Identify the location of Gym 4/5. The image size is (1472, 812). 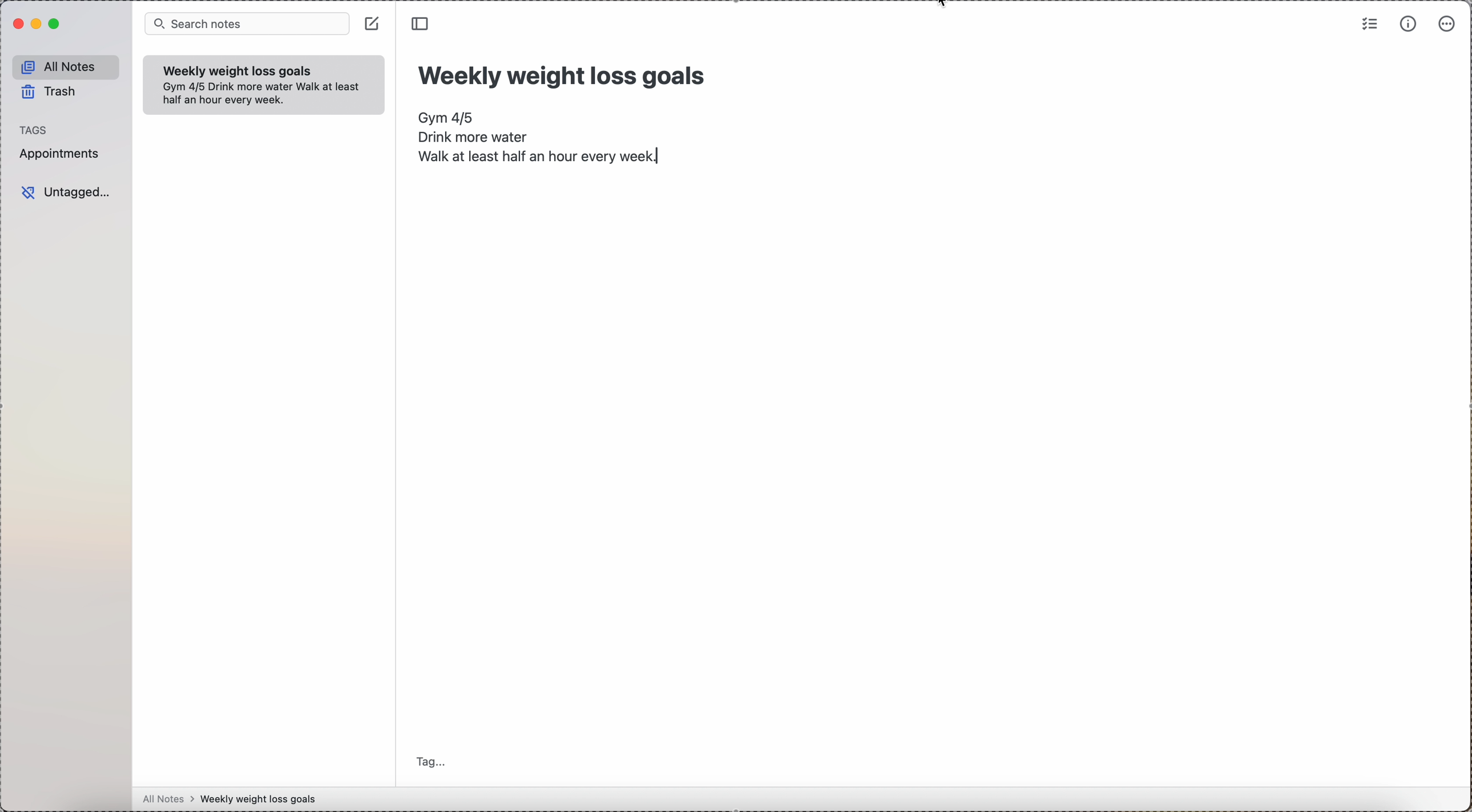
(183, 87).